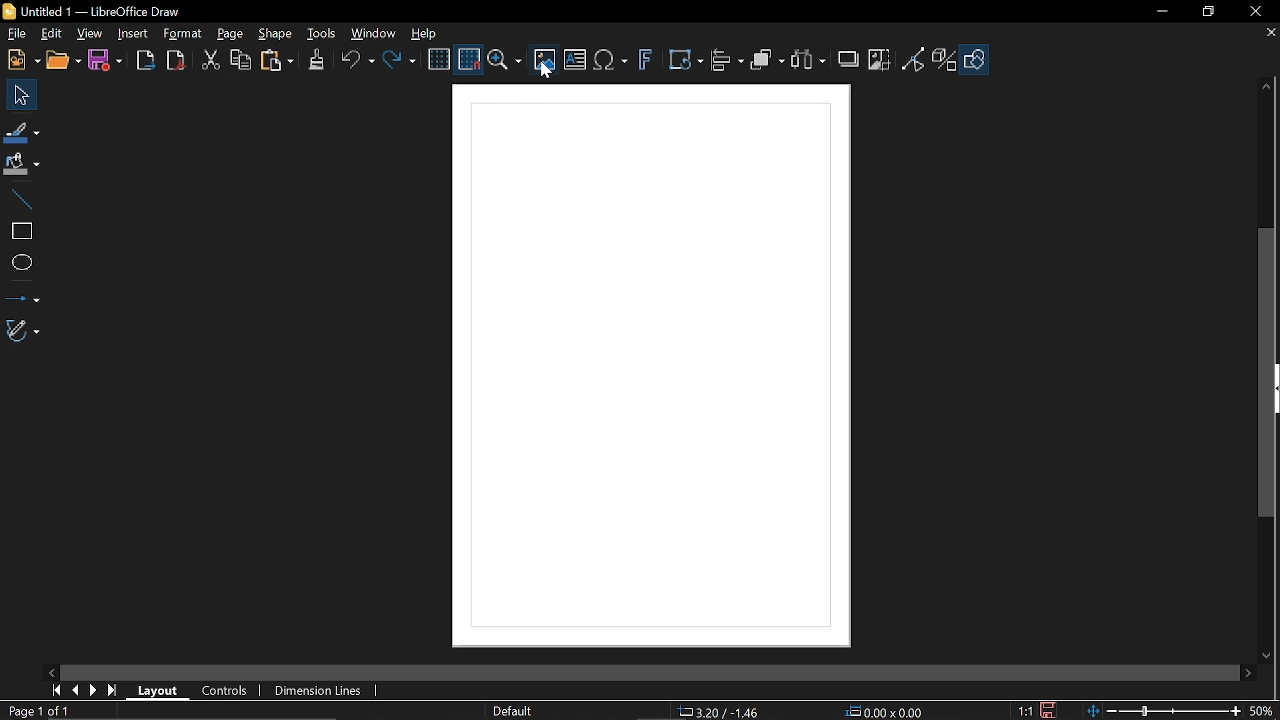 Image resolution: width=1280 pixels, height=720 pixels. I want to click on Controls, so click(226, 690).